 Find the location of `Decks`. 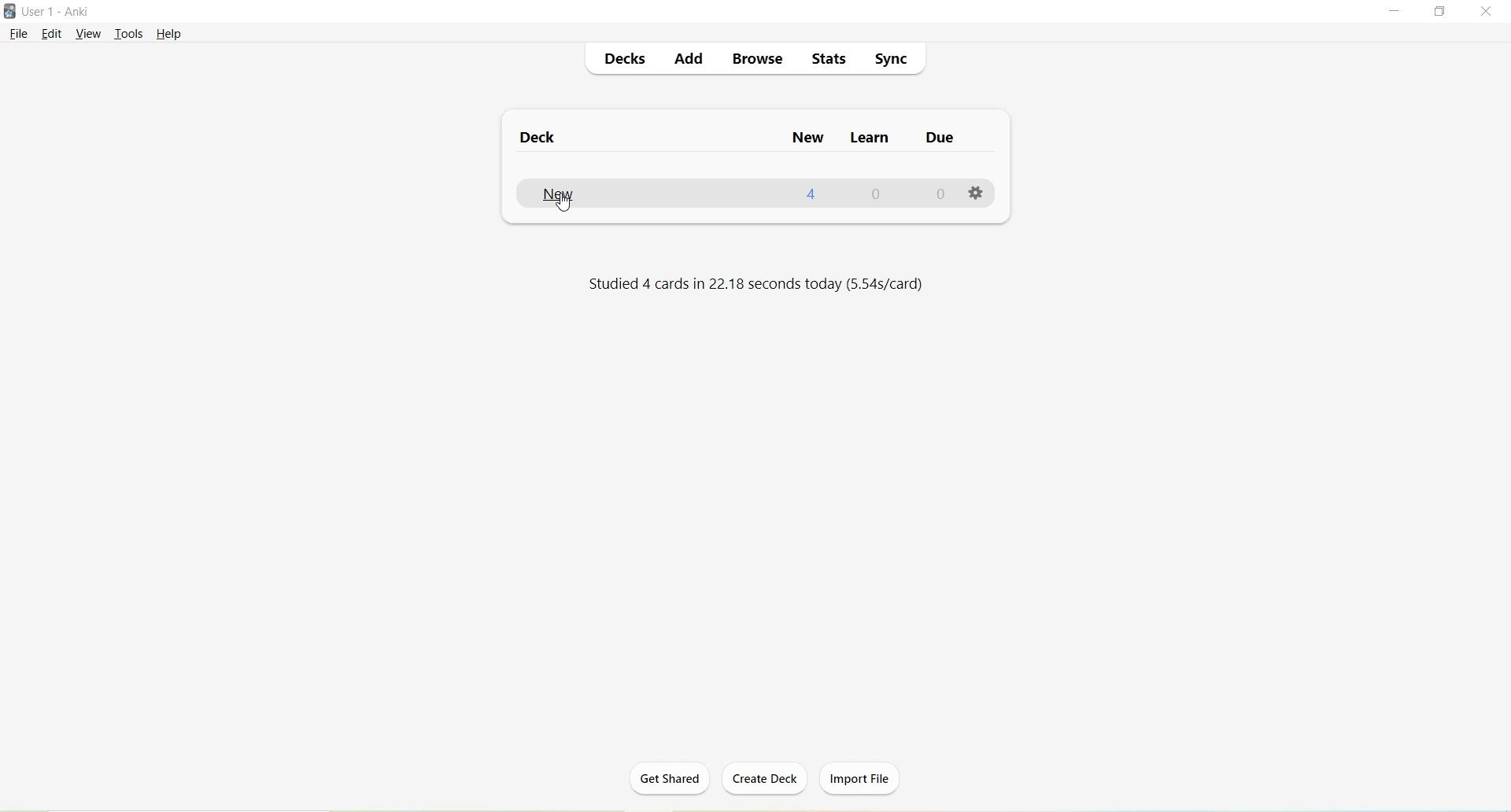

Decks is located at coordinates (629, 61).